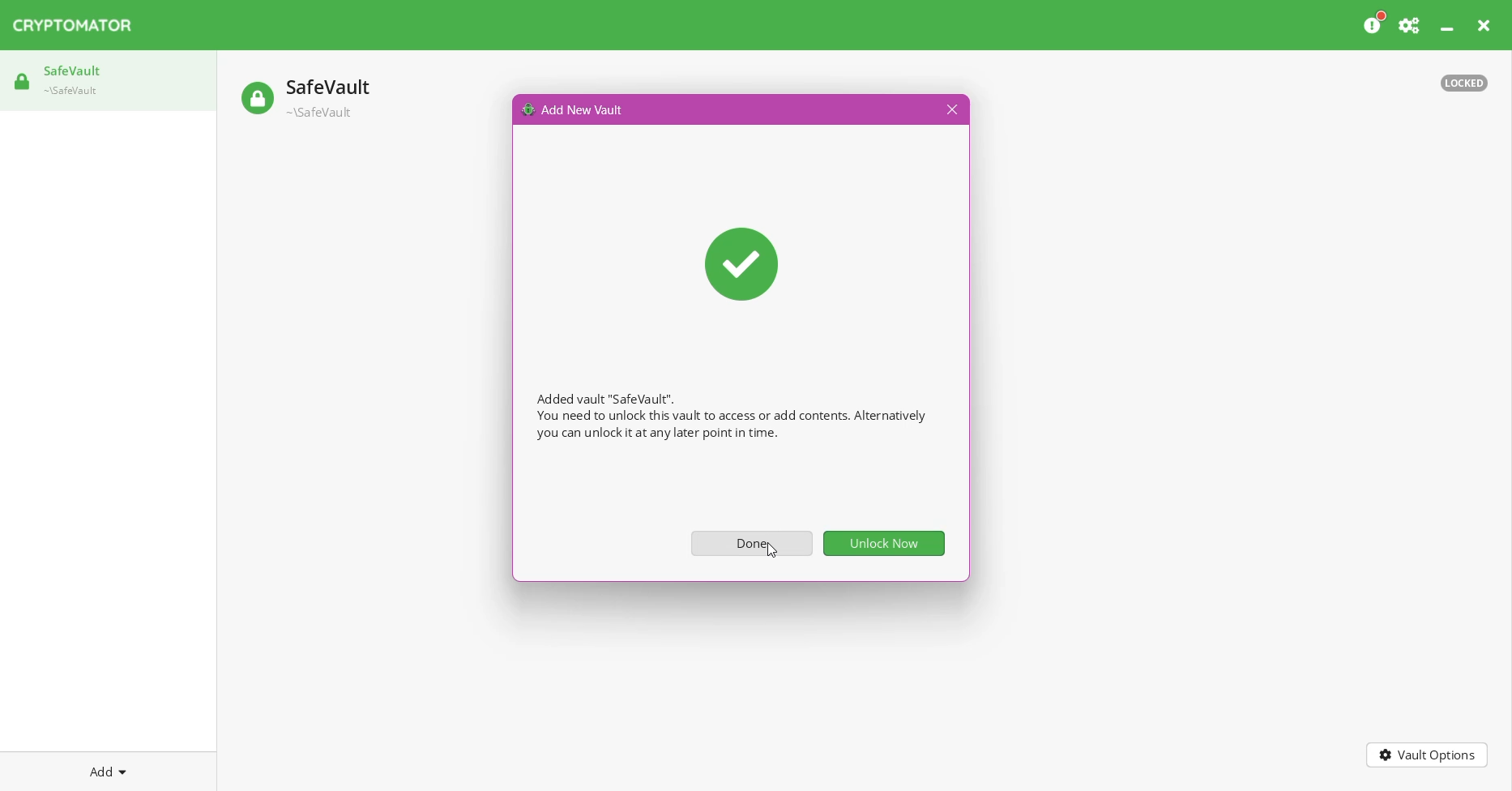 The height and width of the screenshot is (791, 1512). Describe the element at coordinates (109, 768) in the screenshot. I see `Add` at that location.